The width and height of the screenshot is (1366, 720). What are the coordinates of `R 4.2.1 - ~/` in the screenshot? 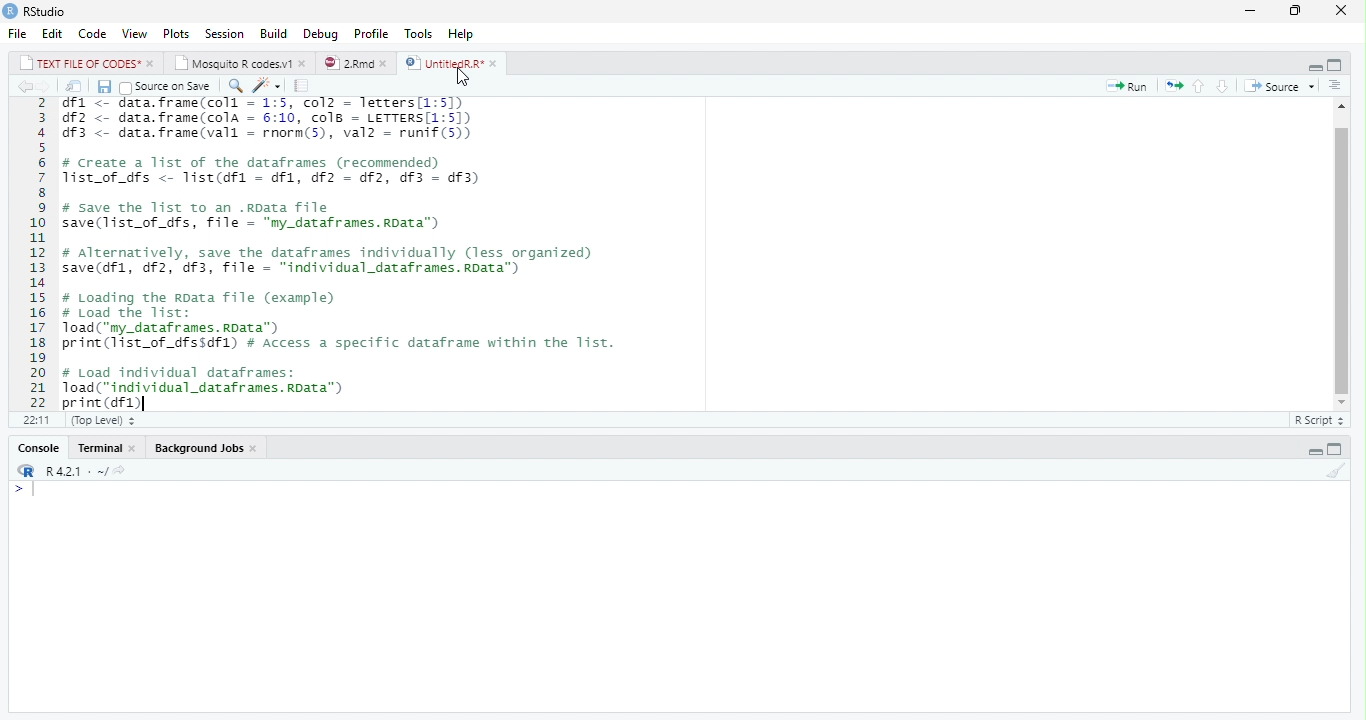 It's located at (67, 470).